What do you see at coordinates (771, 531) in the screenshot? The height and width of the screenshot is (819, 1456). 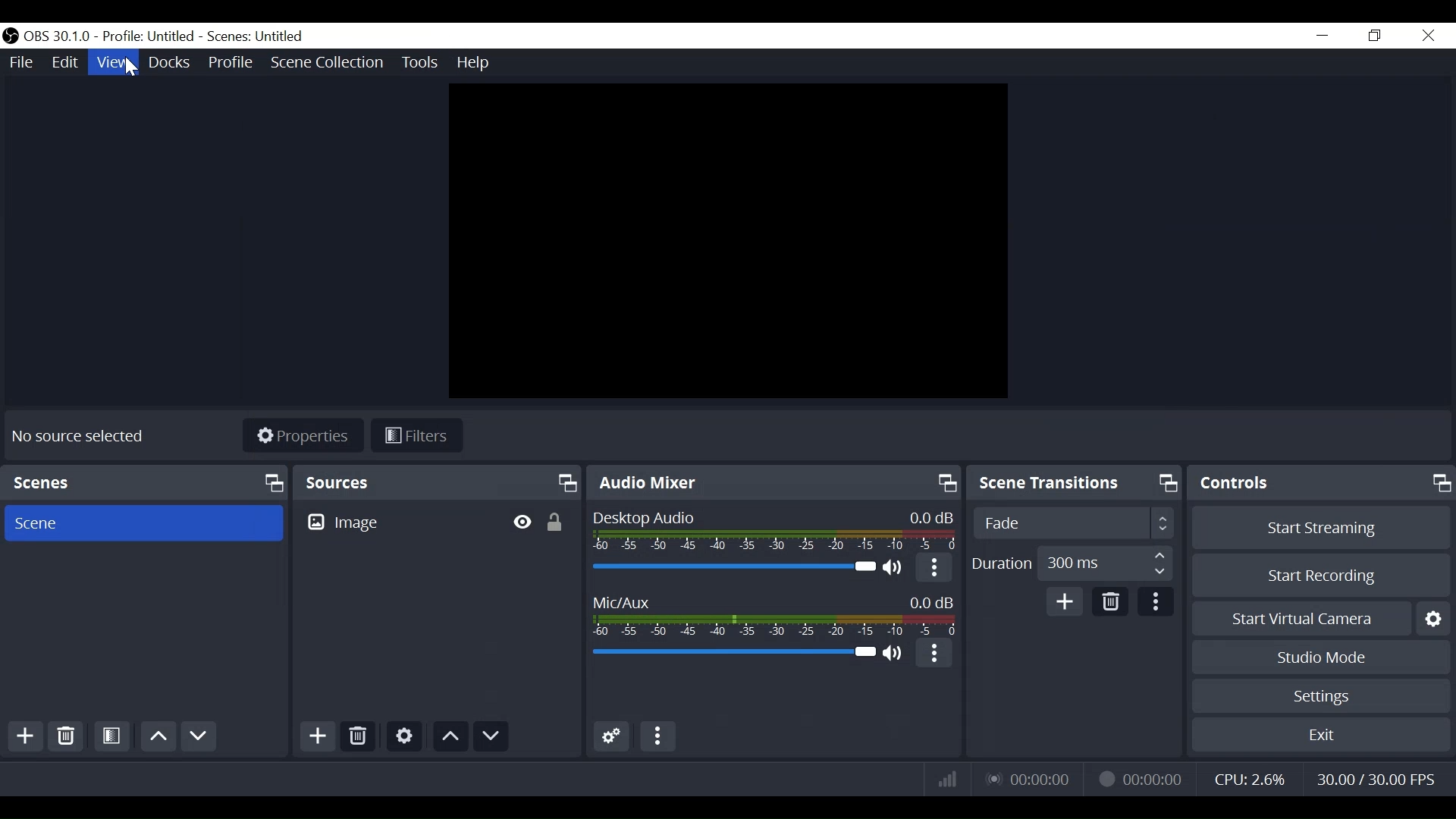 I see `Desktop Audio` at bounding box center [771, 531].